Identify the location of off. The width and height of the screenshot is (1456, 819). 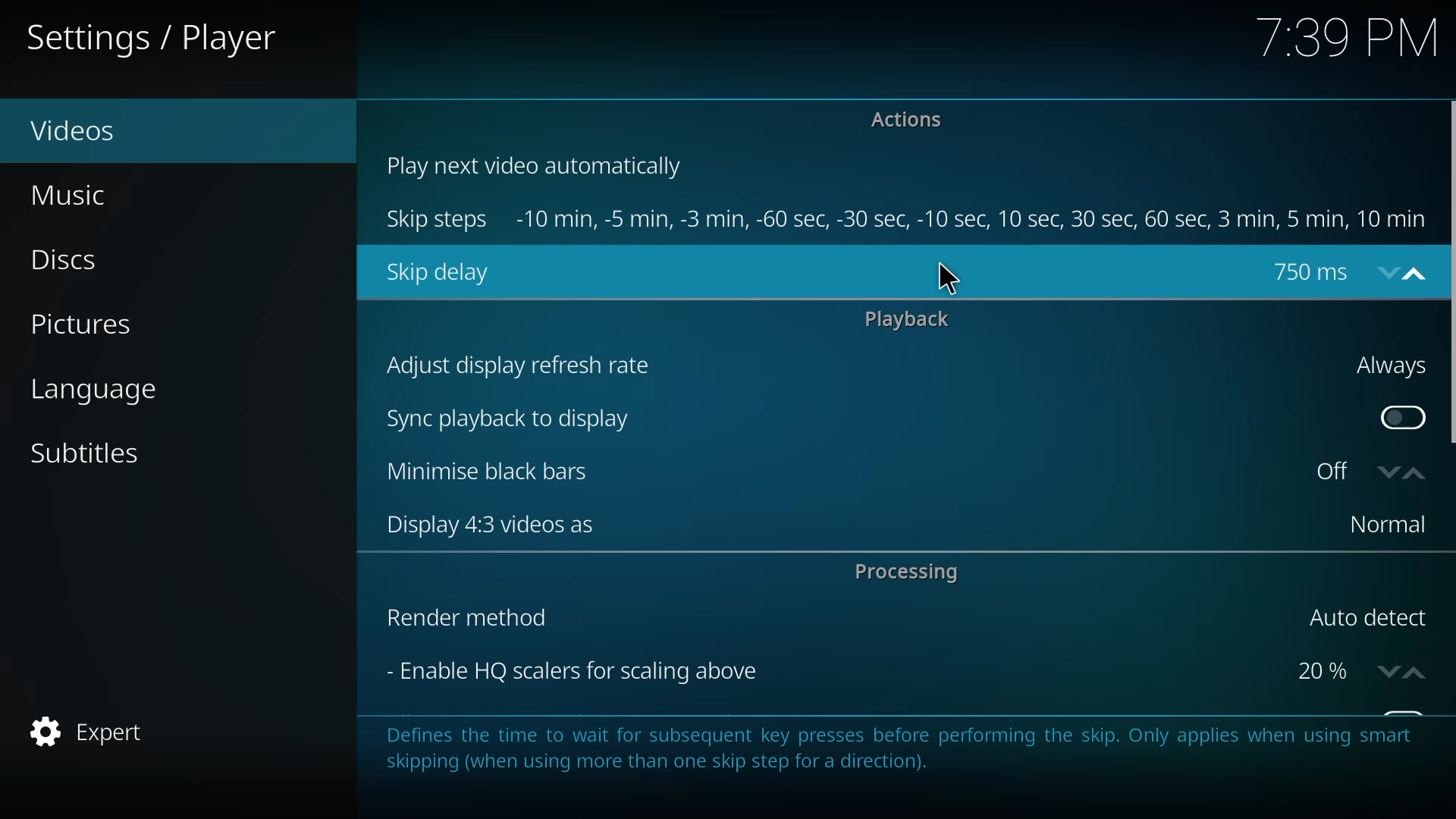
(1366, 471).